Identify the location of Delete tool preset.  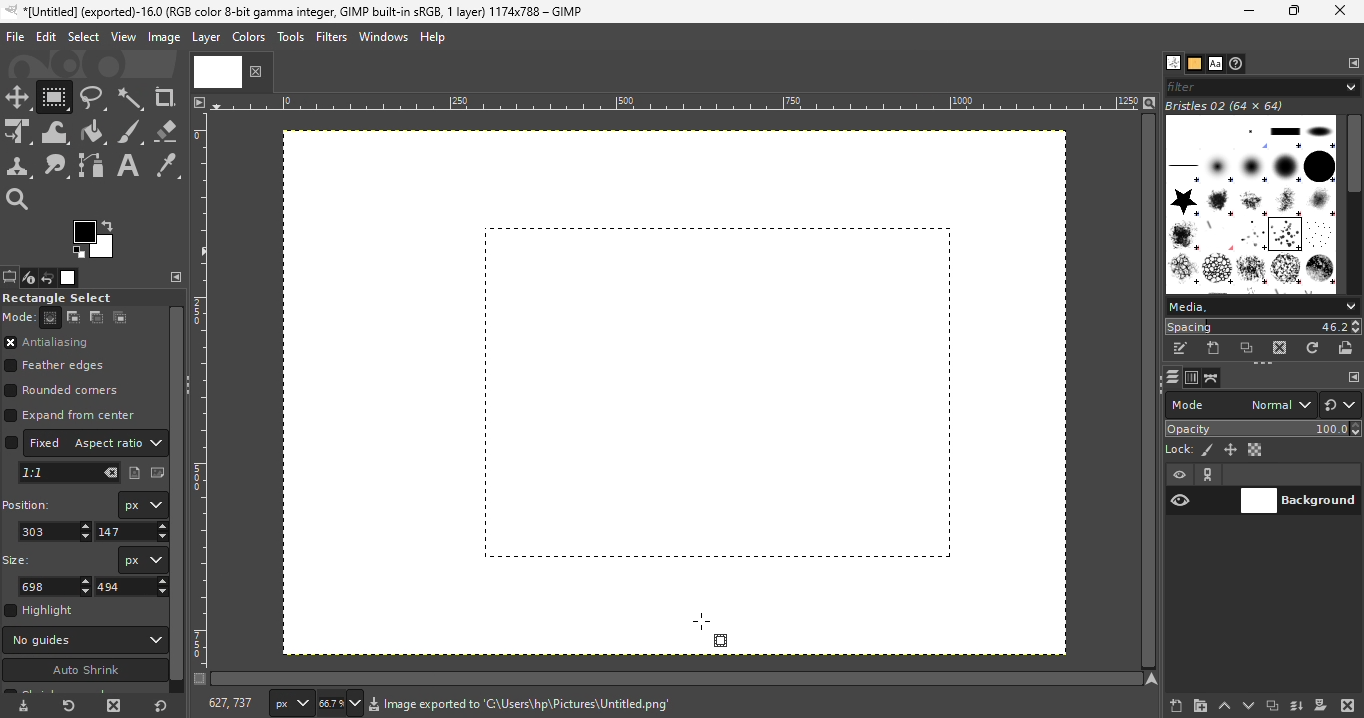
(112, 707).